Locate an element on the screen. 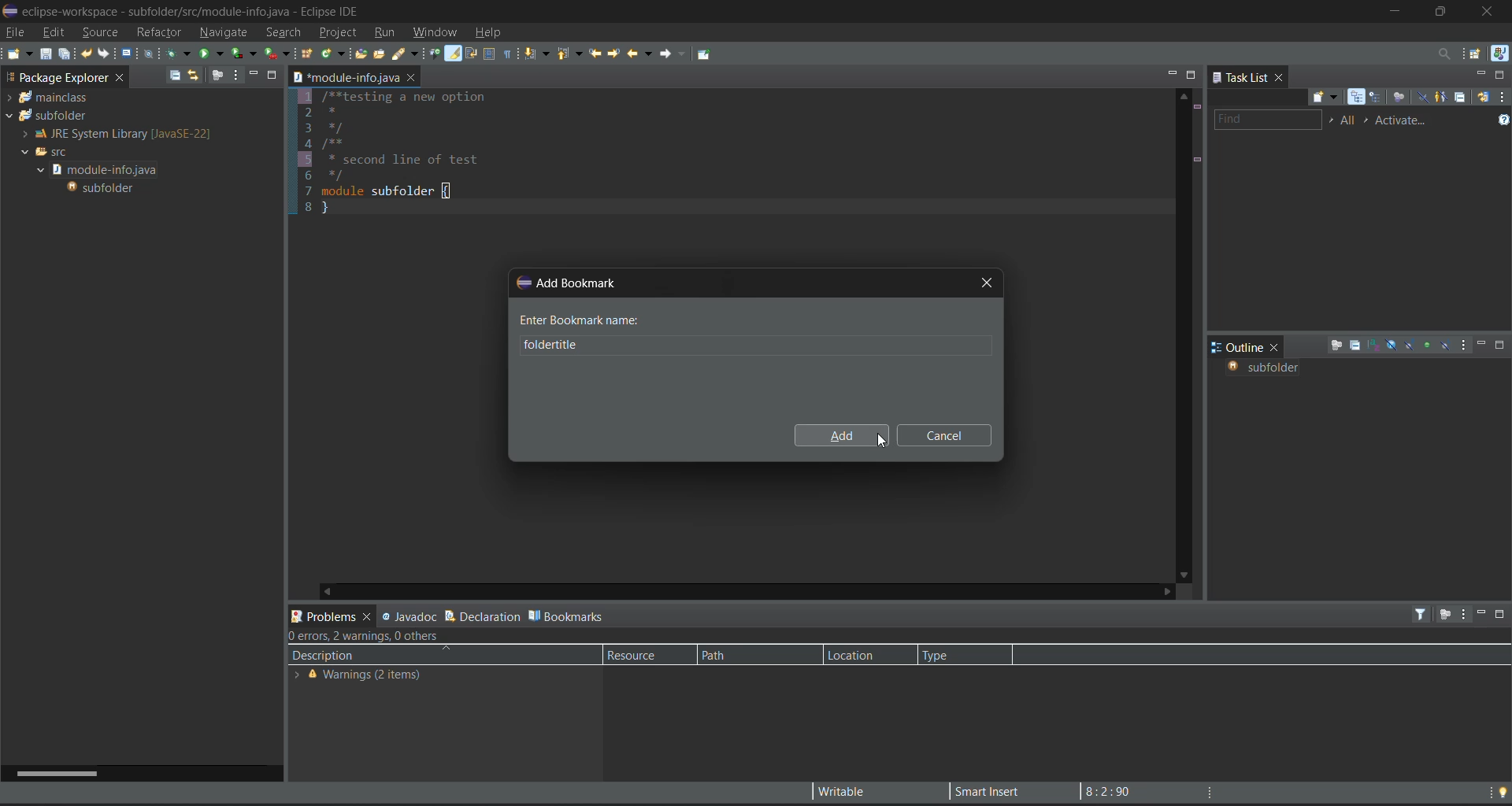  location is located at coordinates (858, 655).